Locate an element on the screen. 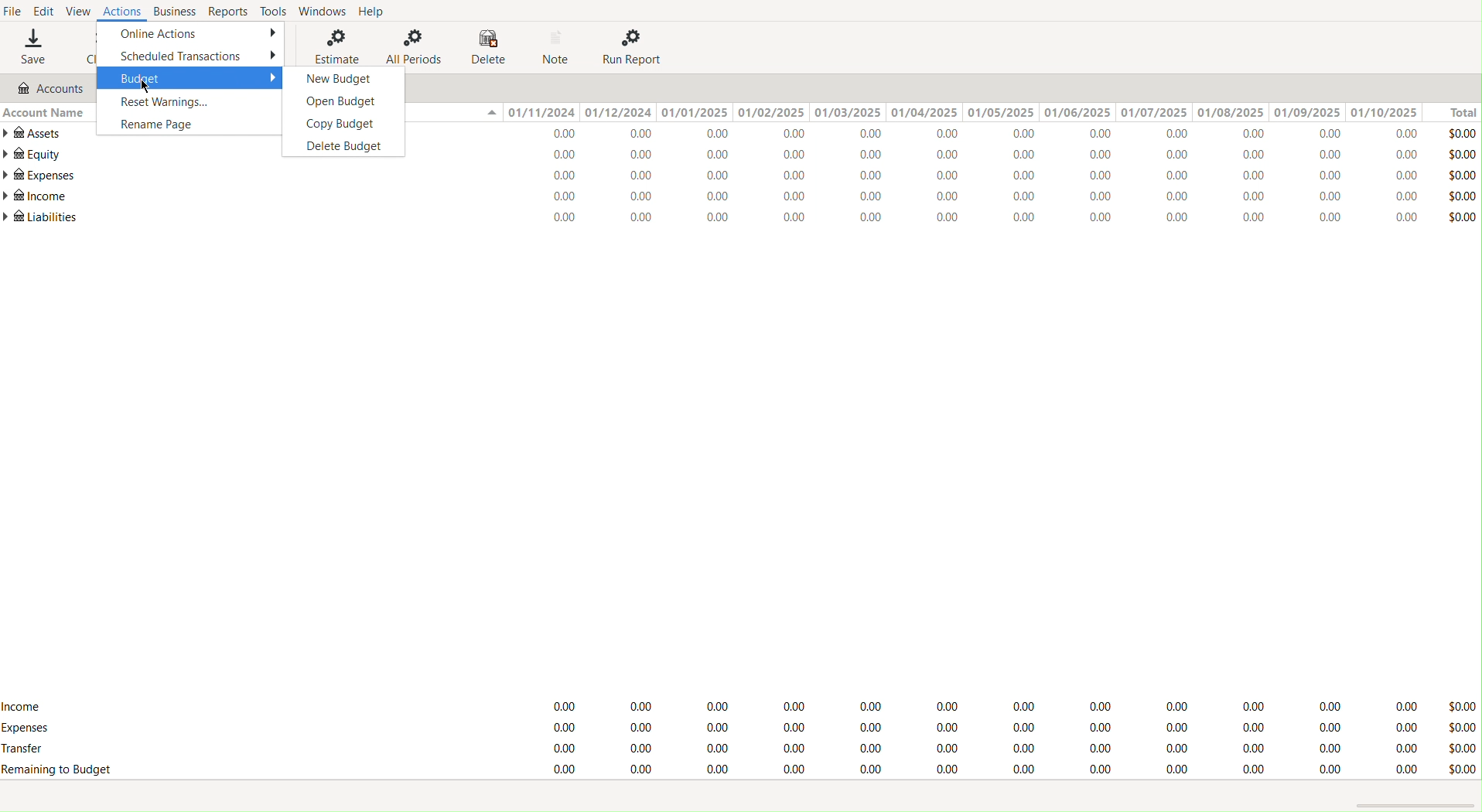 The height and width of the screenshot is (812, 1482). Run Report is located at coordinates (637, 47).